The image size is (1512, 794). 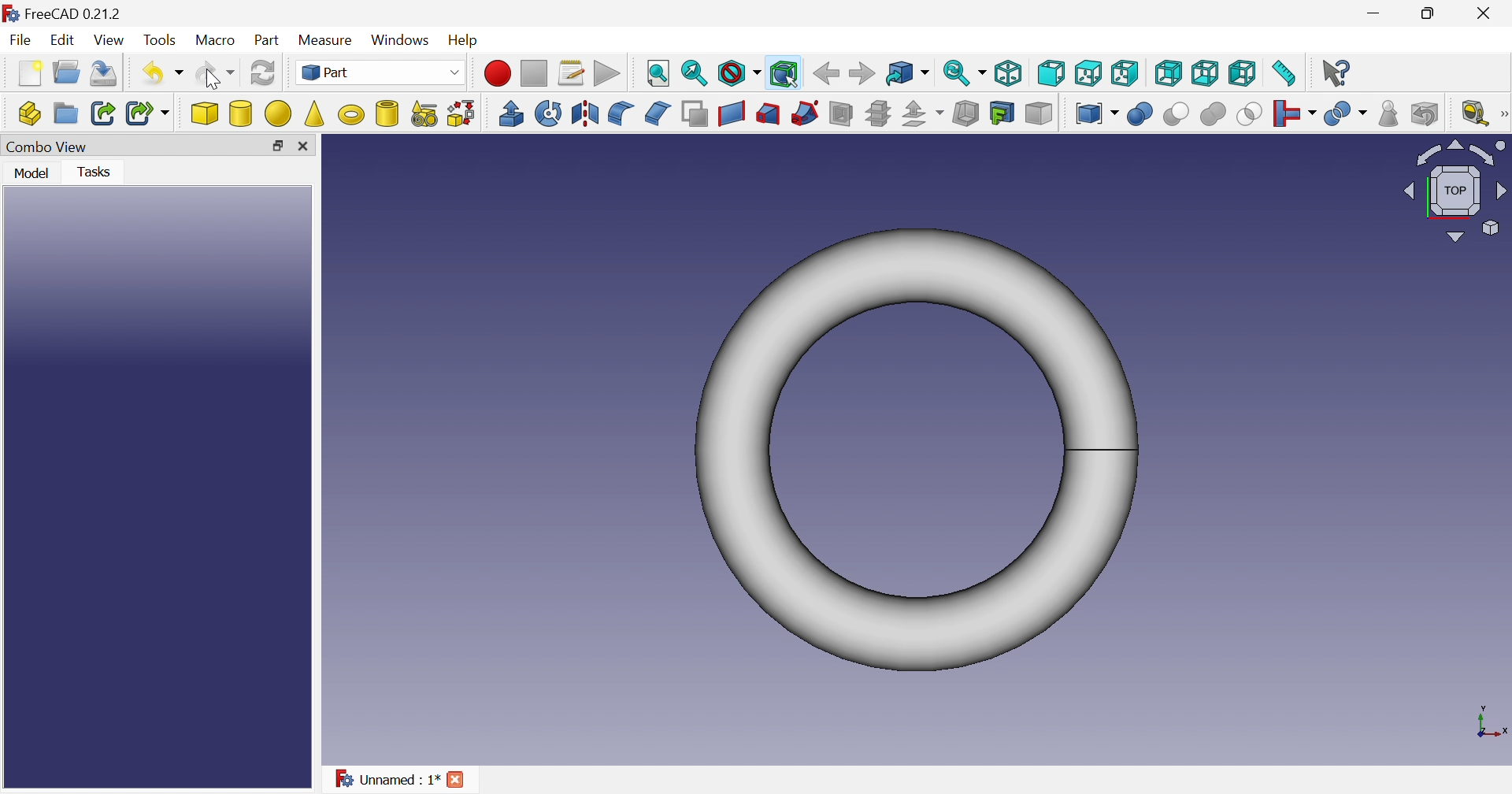 What do you see at coordinates (50, 146) in the screenshot?
I see `Combo View` at bounding box center [50, 146].